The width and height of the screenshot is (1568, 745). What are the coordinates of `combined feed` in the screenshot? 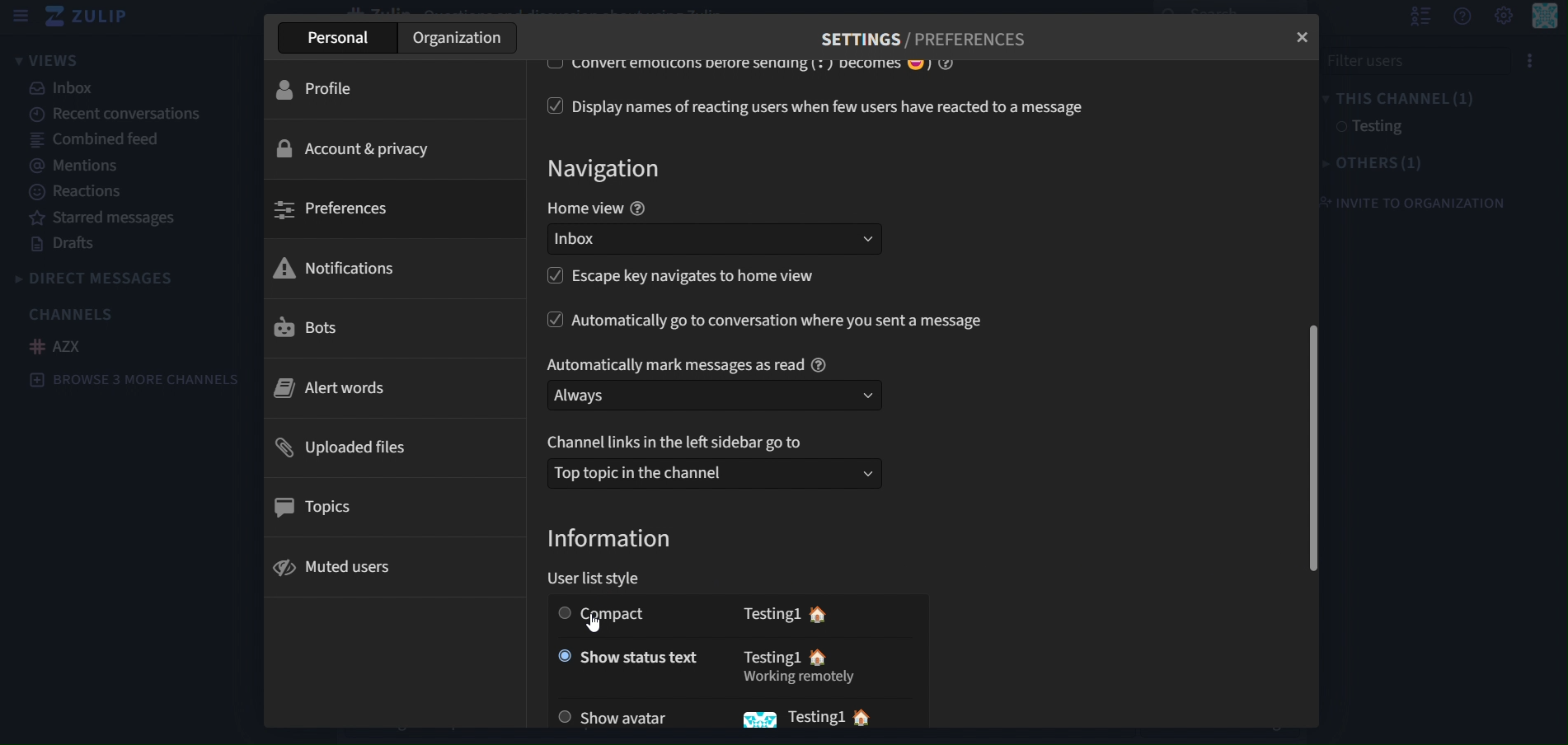 It's located at (97, 138).